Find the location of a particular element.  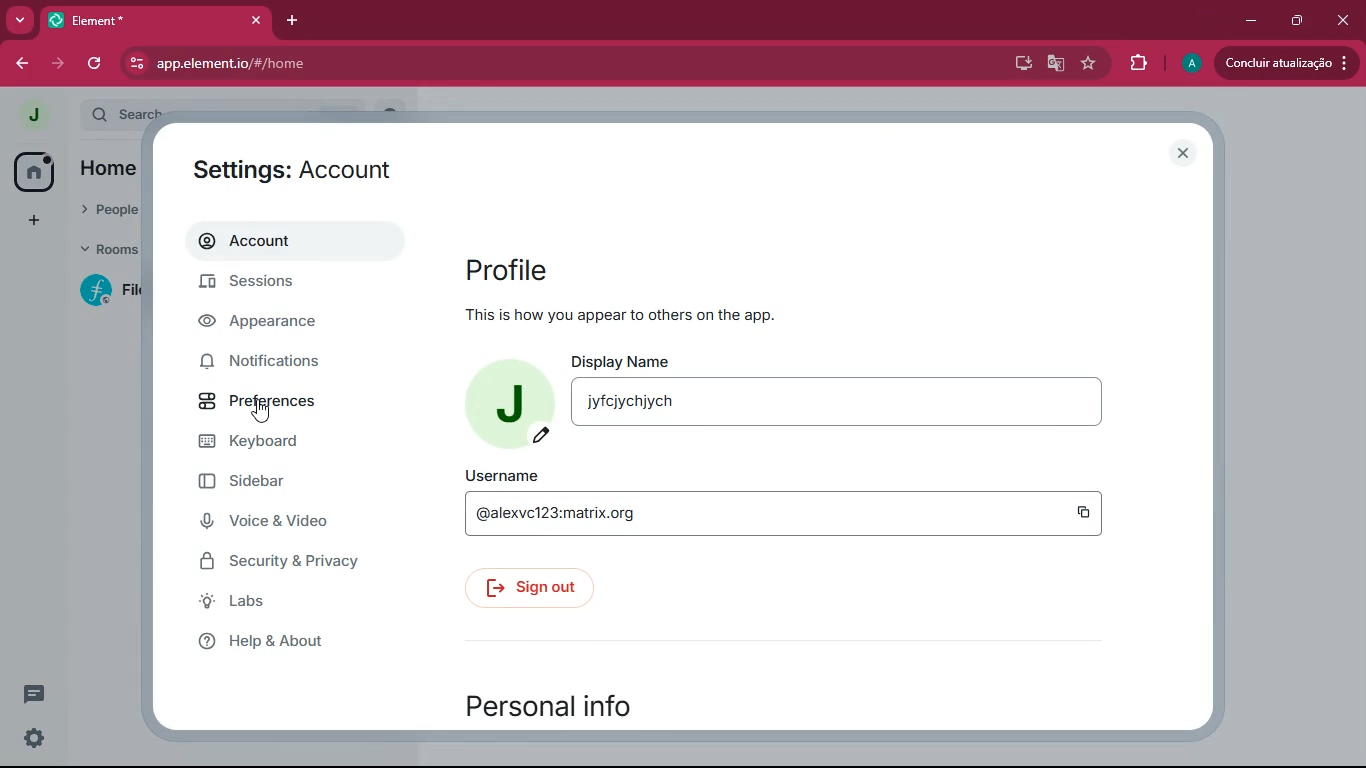

desktop is located at coordinates (1016, 64).